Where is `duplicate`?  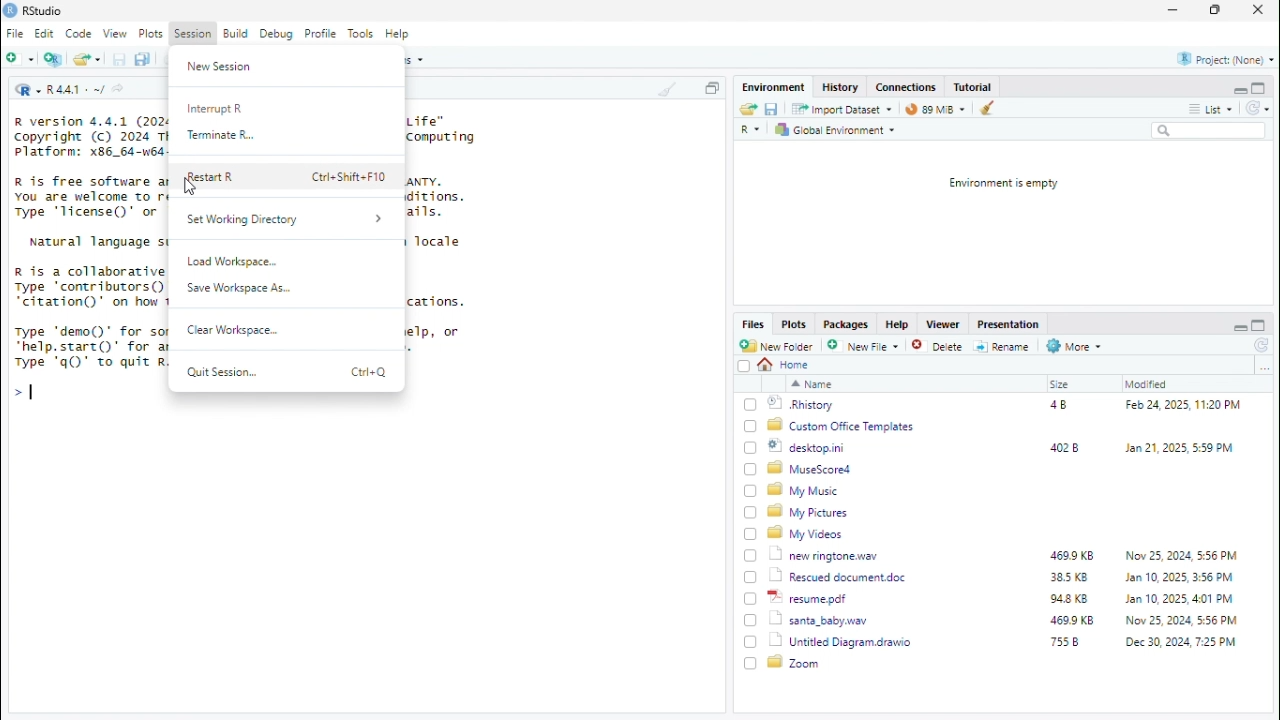 duplicate is located at coordinates (143, 59).